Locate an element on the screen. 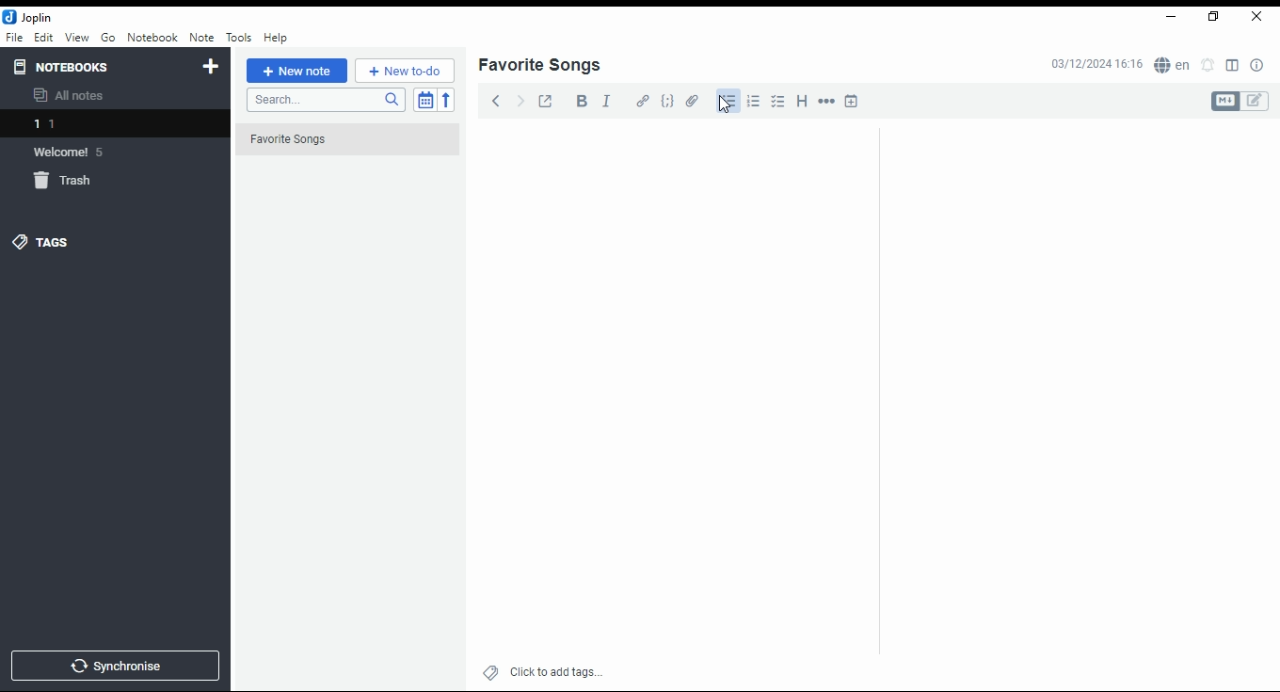 The height and width of the screenshot is (692, 1280). notebook: welcome is located at coordinates (73, 151).